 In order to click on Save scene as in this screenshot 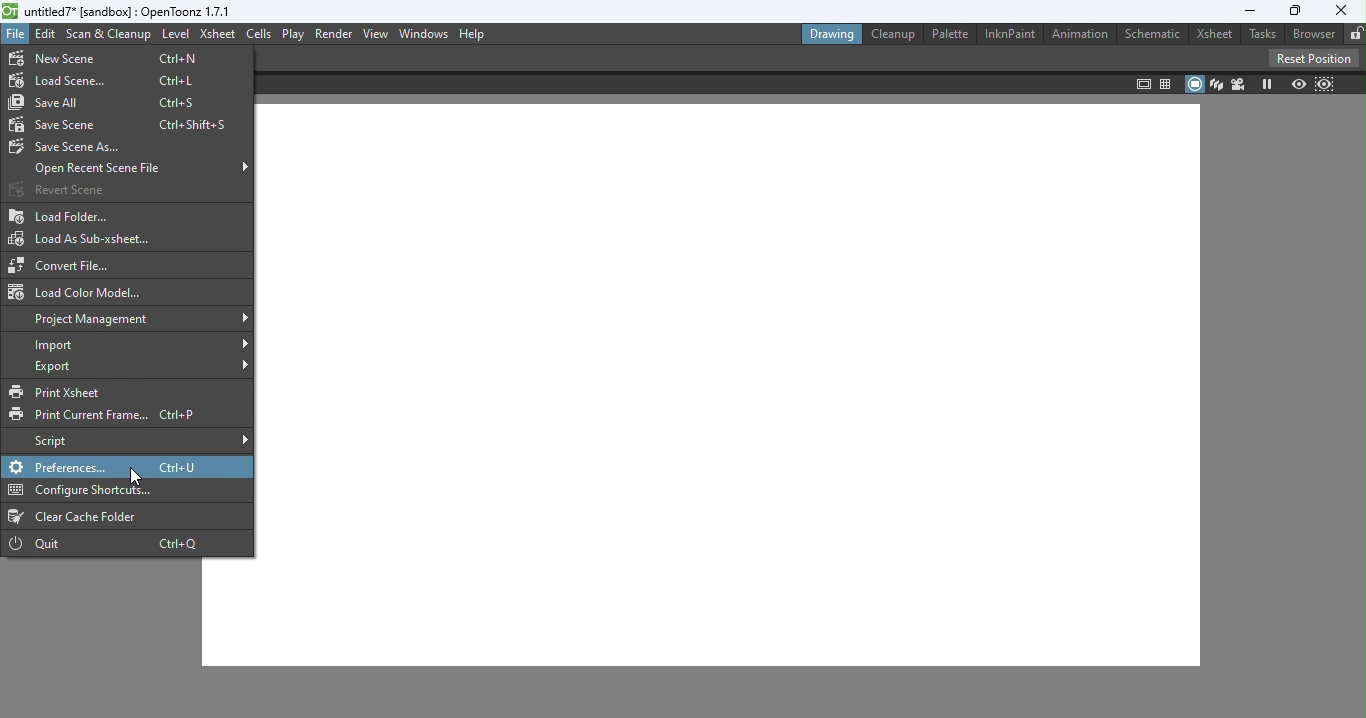, I will do `click(73, 150)`.